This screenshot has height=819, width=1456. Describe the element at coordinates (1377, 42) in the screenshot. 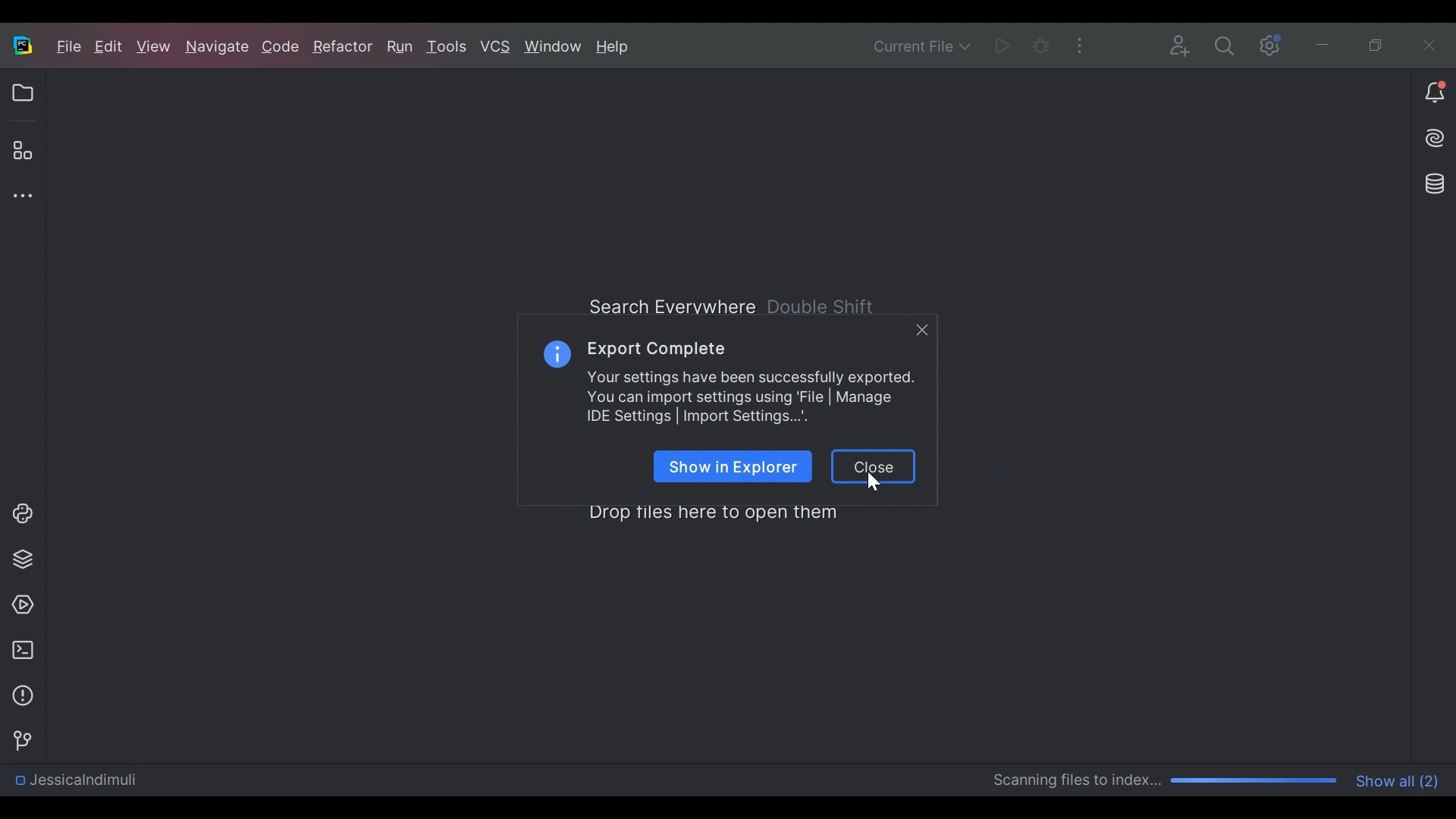

I see `Restore` at that location.